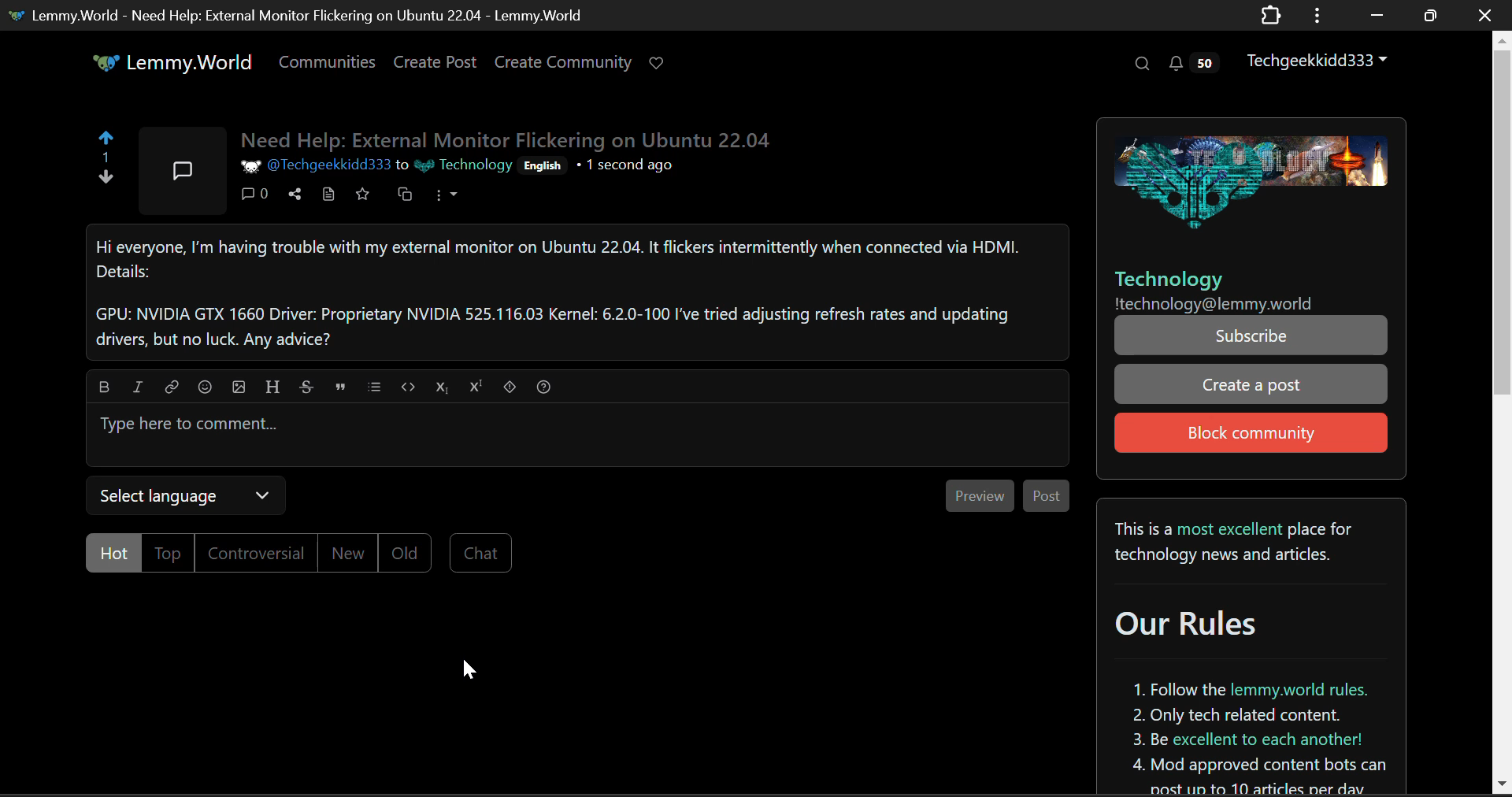  Describe the element at coordinates (162, 62) in the screenshot. I see `Lemmy.World` at that location.